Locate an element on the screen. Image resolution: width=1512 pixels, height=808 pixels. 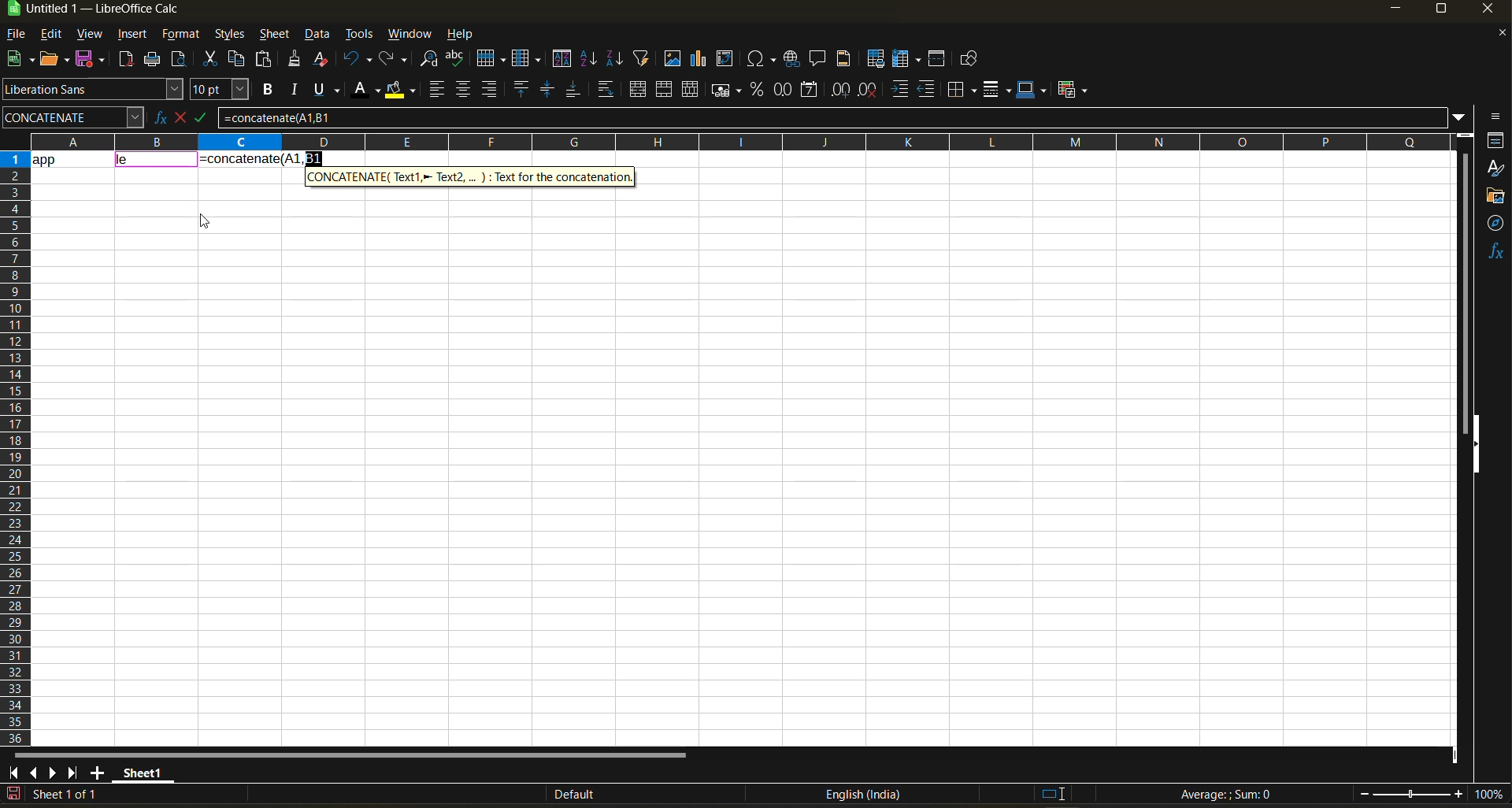
redo  is located at coordinates (395, 60).